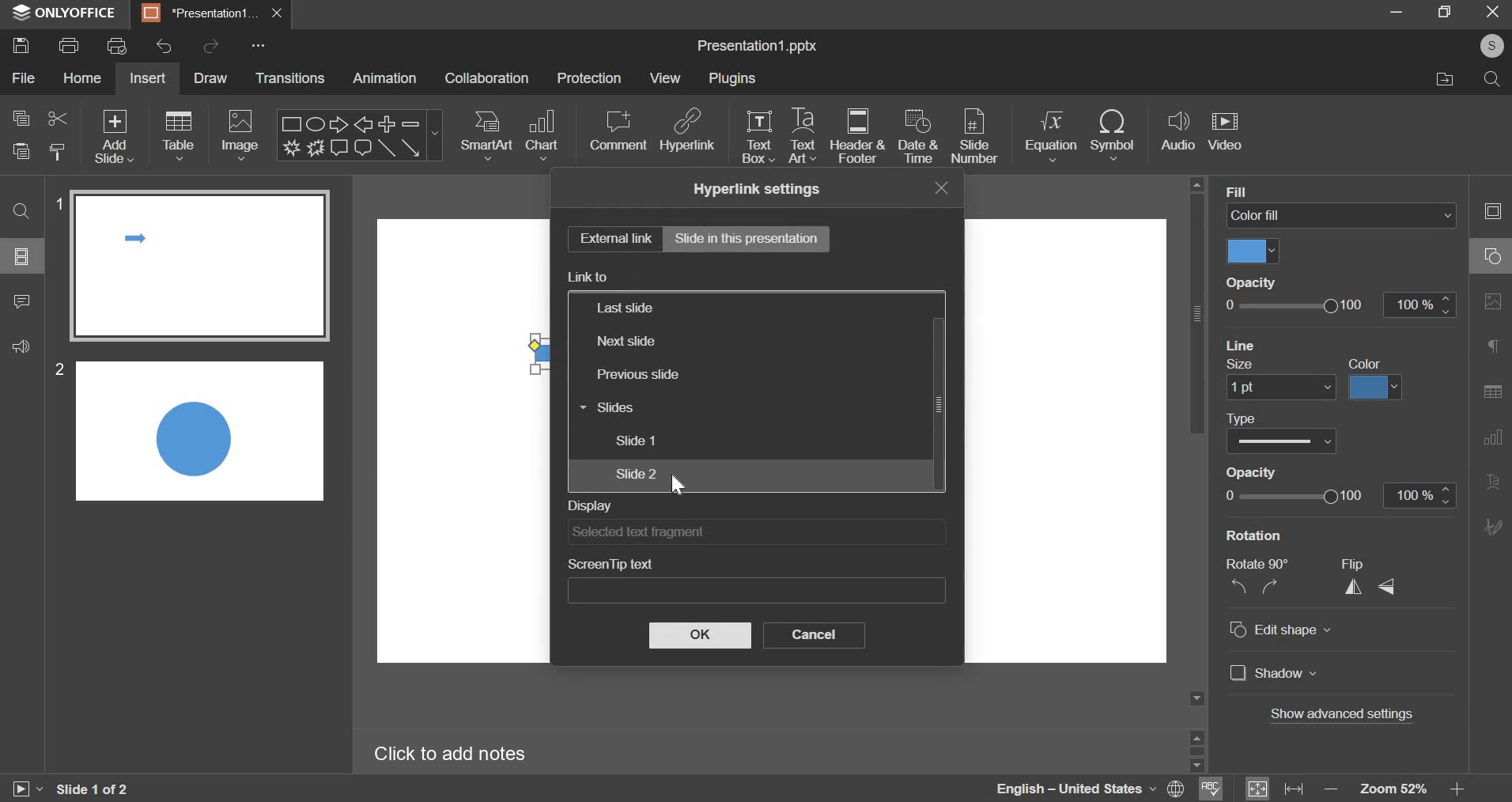 This screenshot has width=1512, height=802. Describe the element at coordinates (387, 123) in the screenshot. I see `Plus` at that location.